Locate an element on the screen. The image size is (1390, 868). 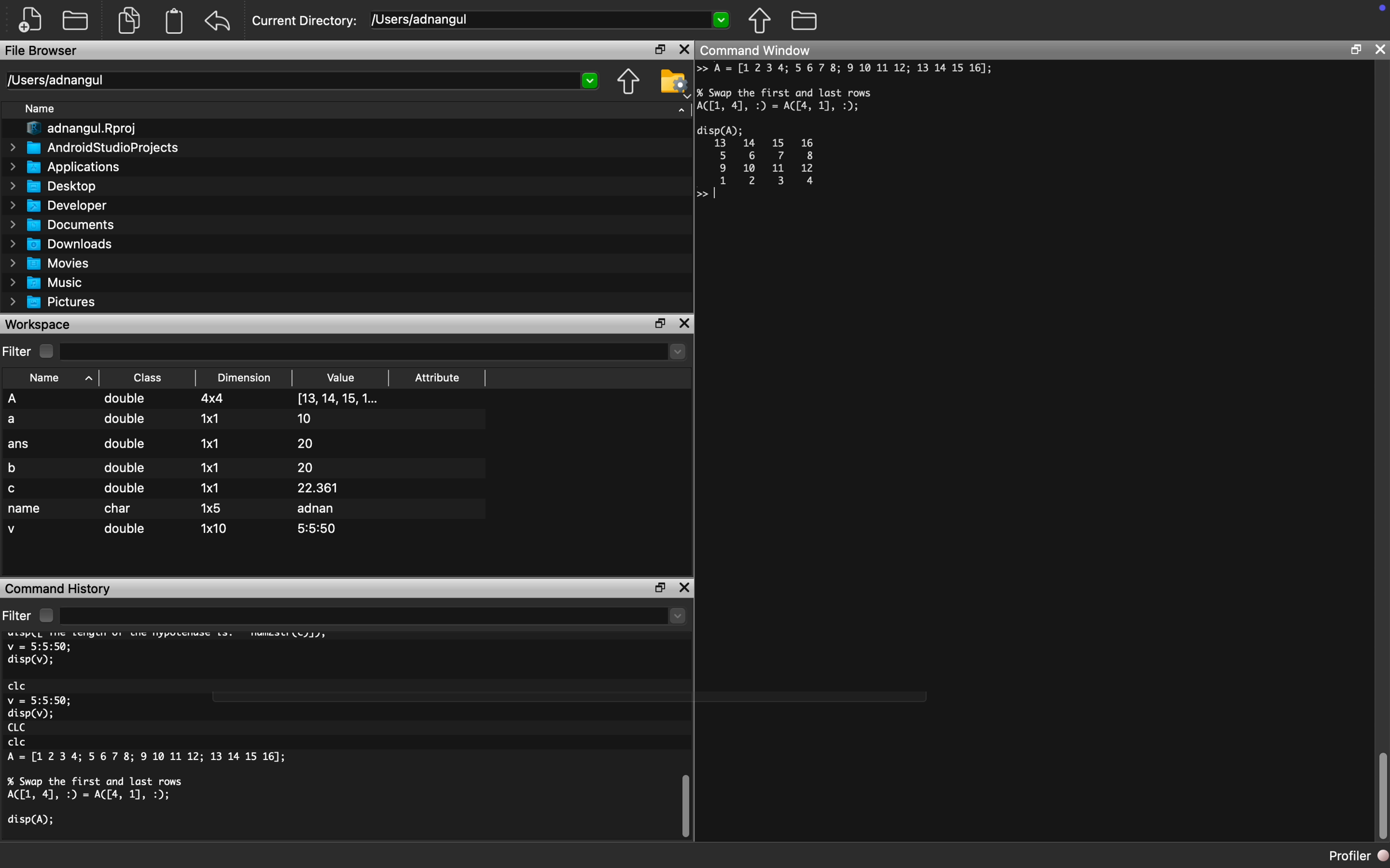
Scrollbar is located at coordinates (685, 804).